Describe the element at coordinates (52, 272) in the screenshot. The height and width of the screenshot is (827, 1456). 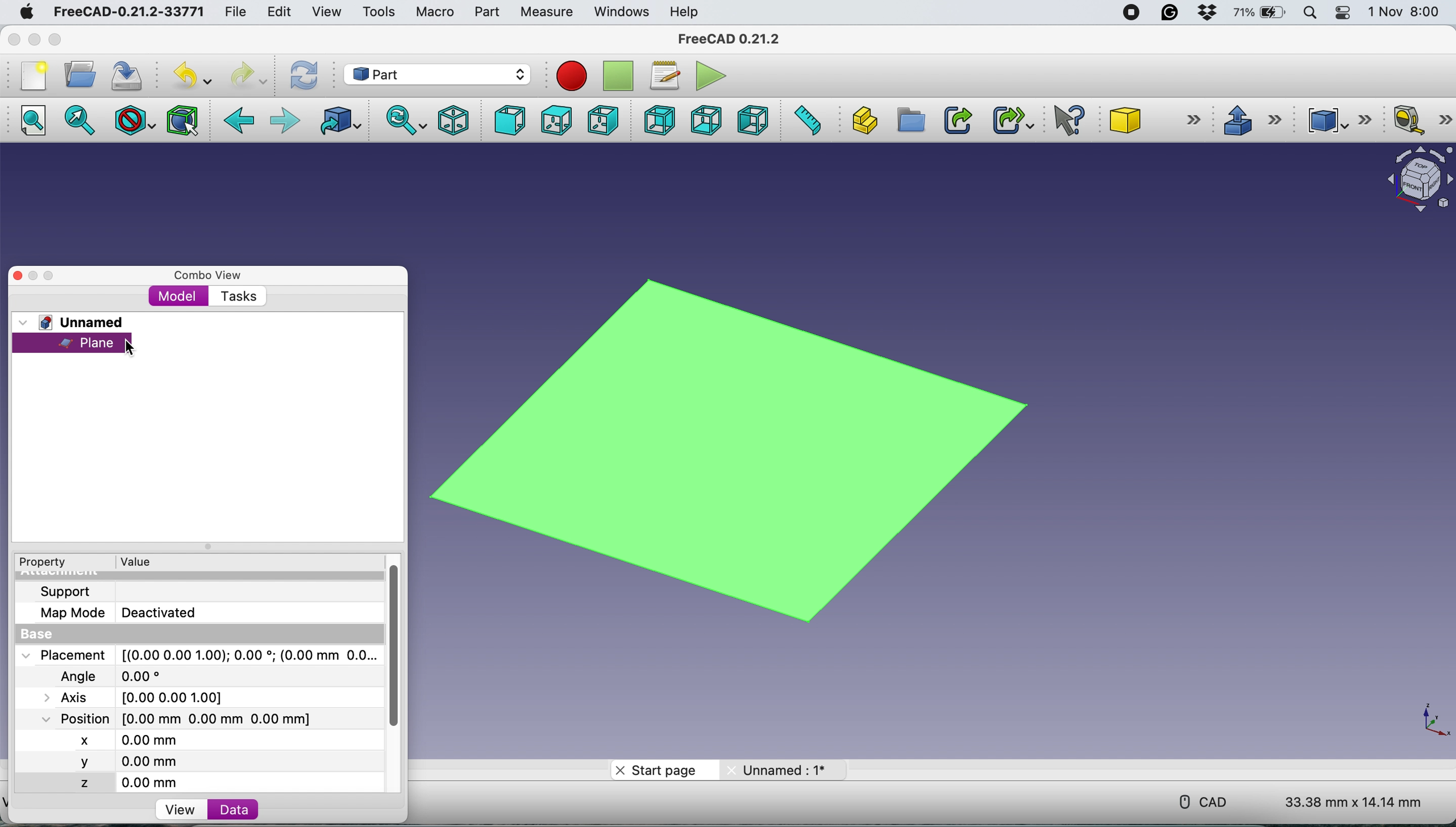
I see `maximise` at that location.